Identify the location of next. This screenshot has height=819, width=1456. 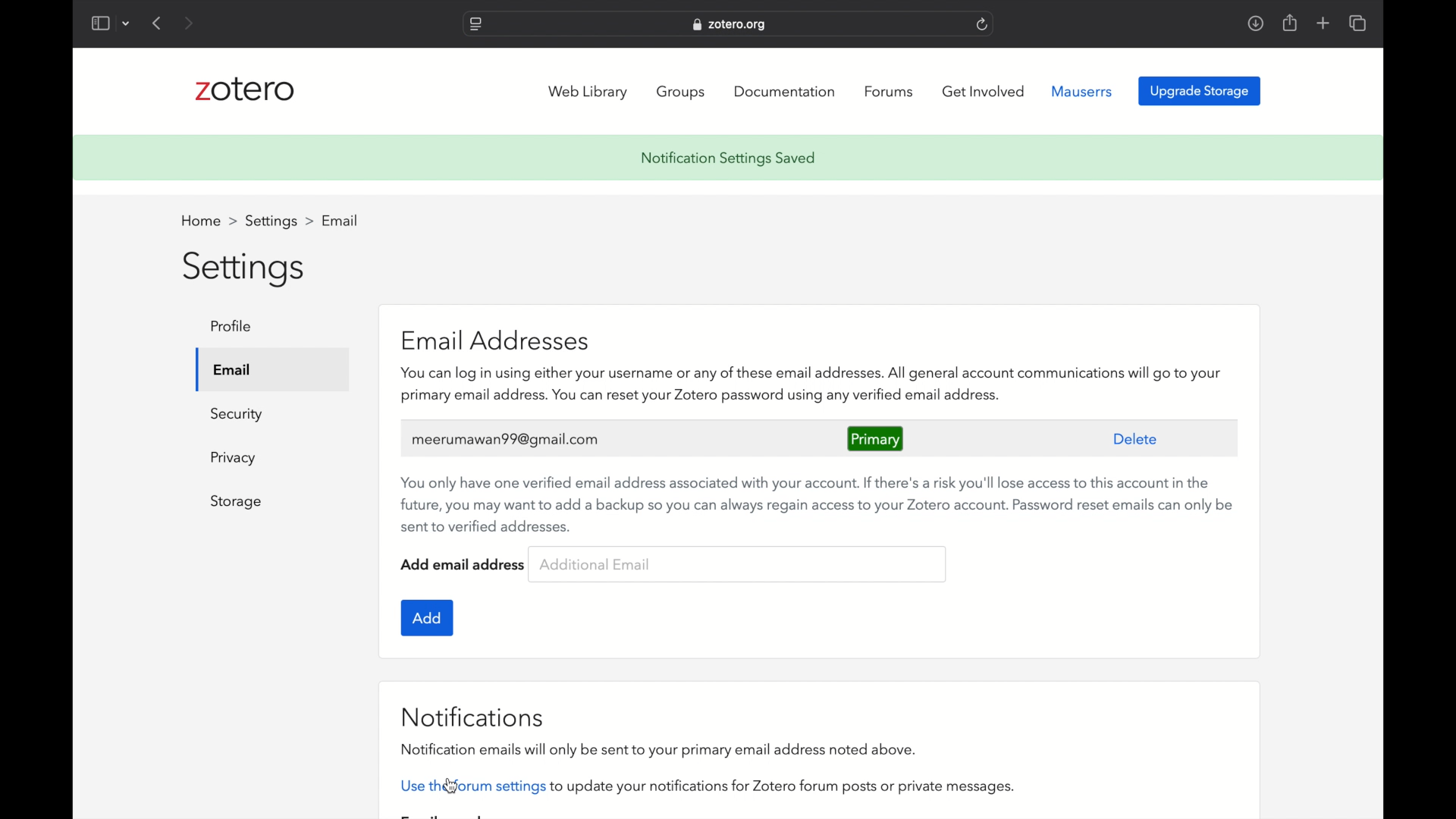
(191, 24).